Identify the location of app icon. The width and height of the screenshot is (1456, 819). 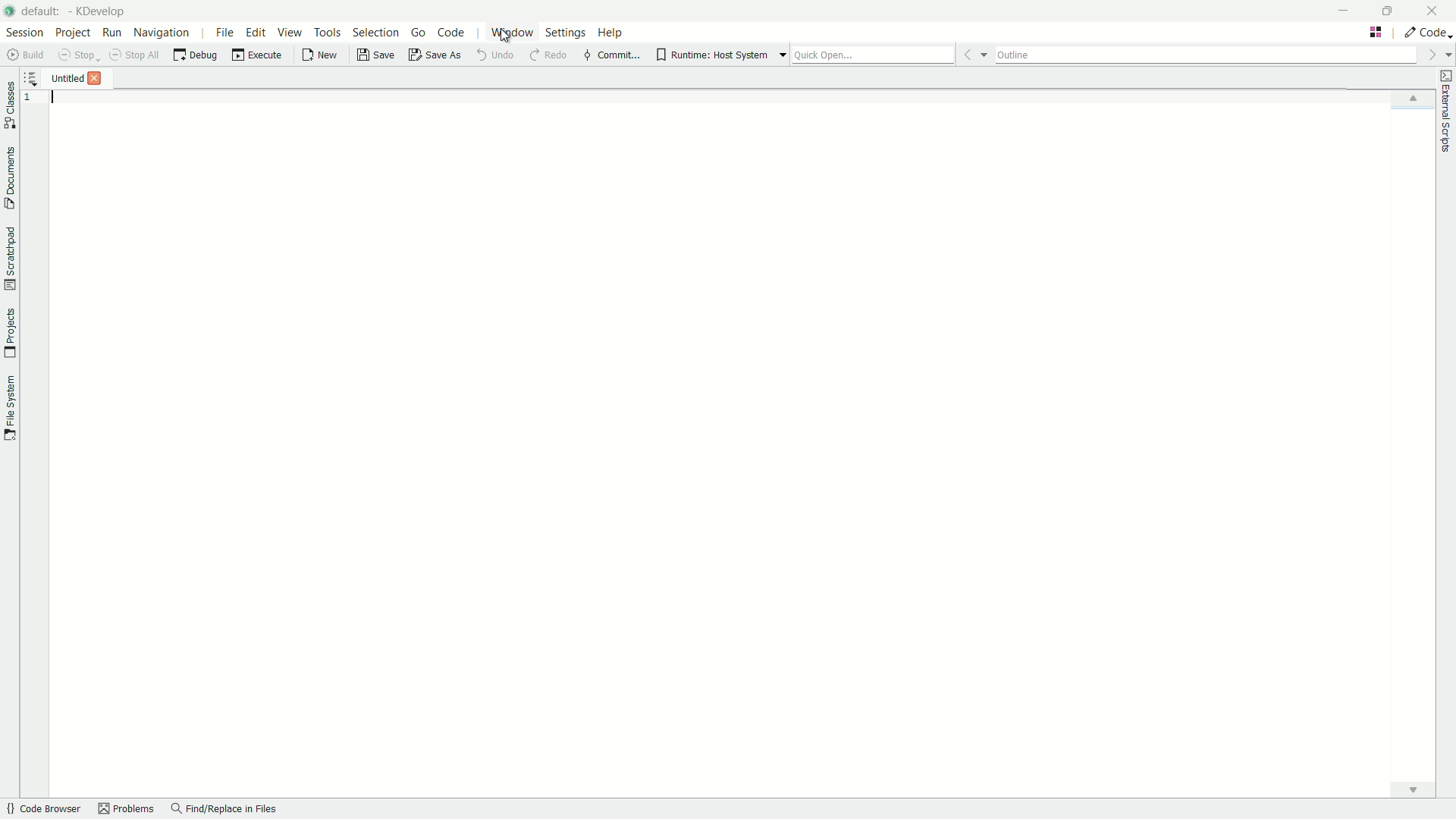
(9, 11).